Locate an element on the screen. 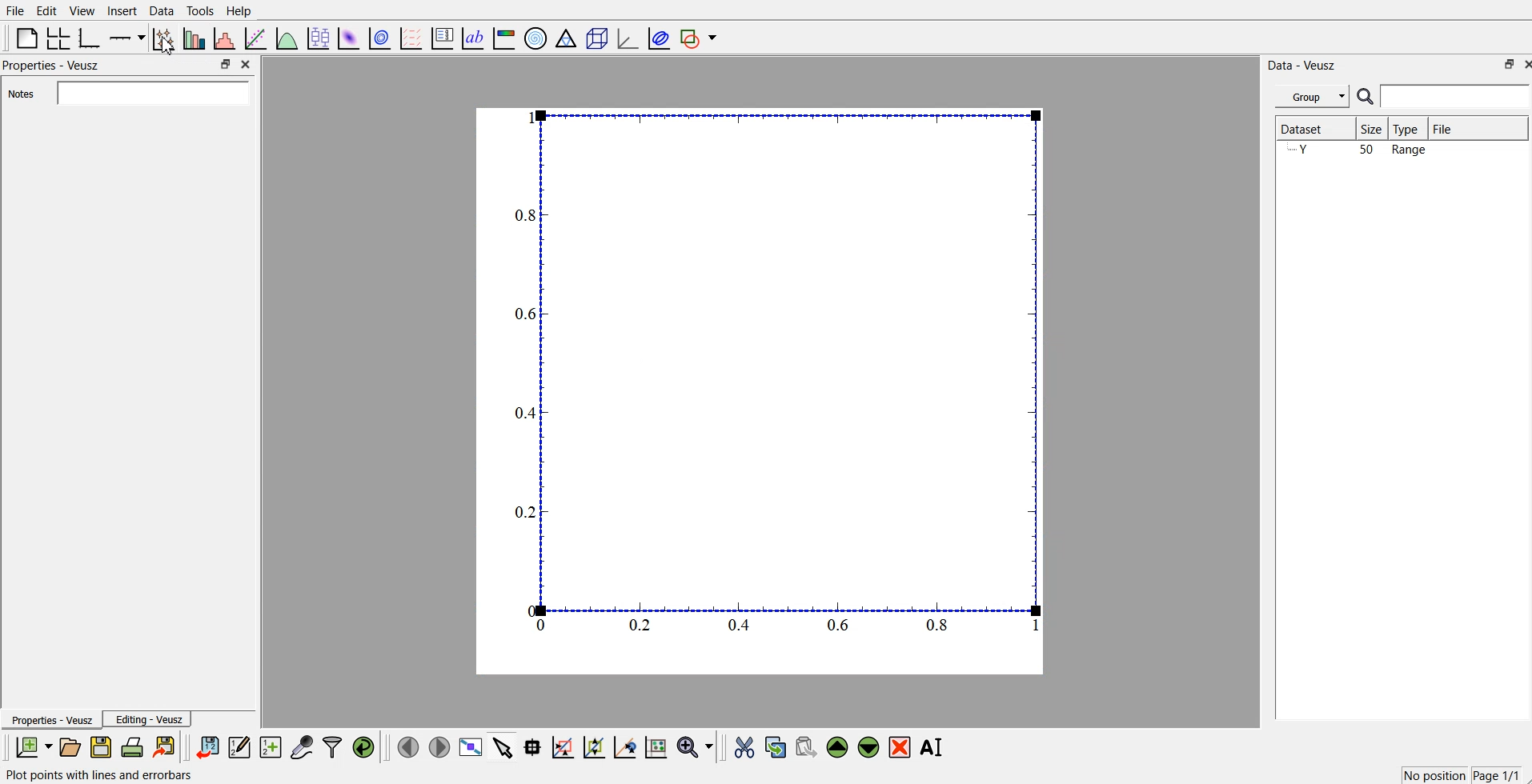  save document is located at coordinates (101, 748).